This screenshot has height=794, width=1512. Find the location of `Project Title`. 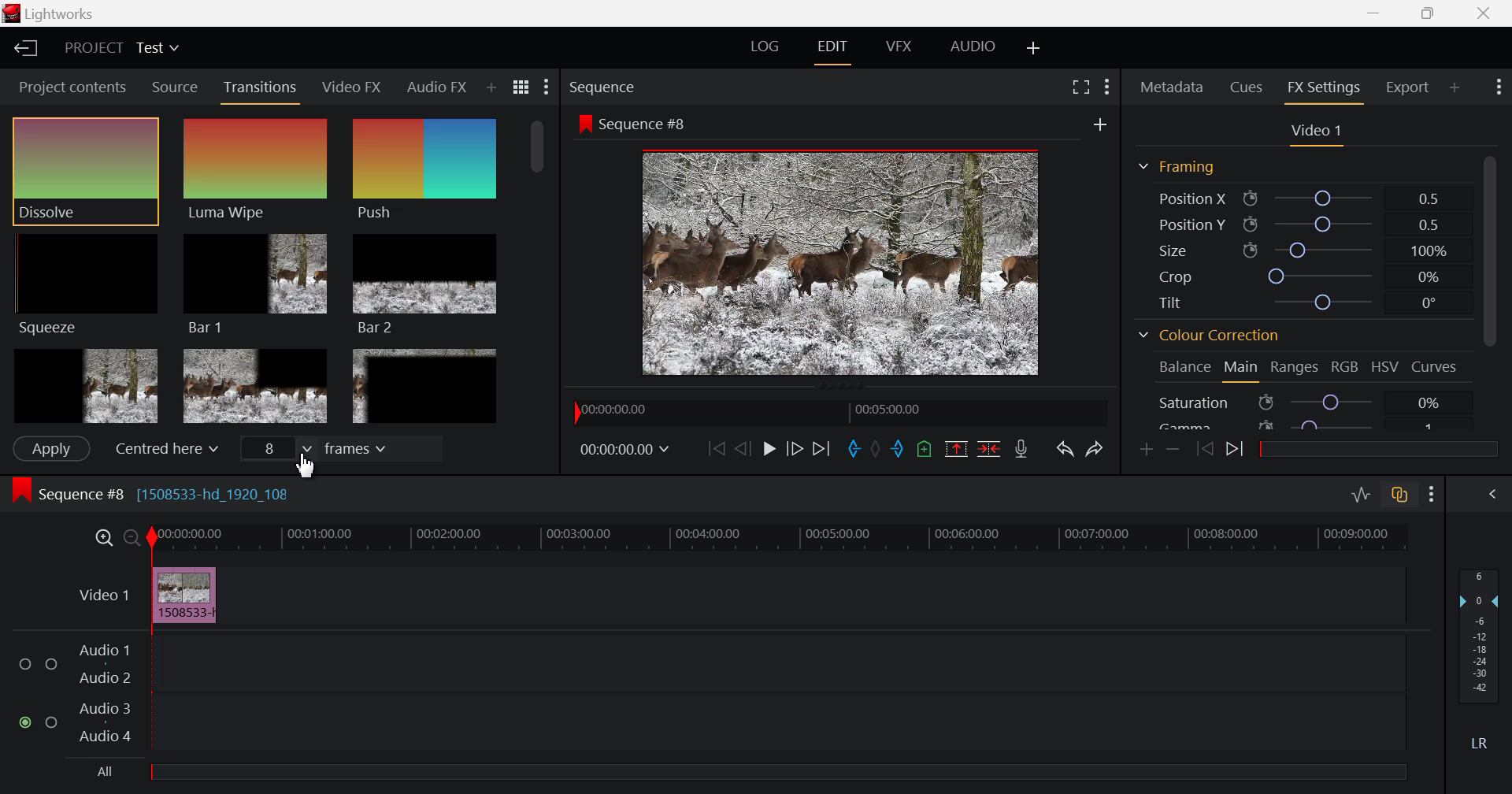

Project Title is located at coordinates (121, 48).